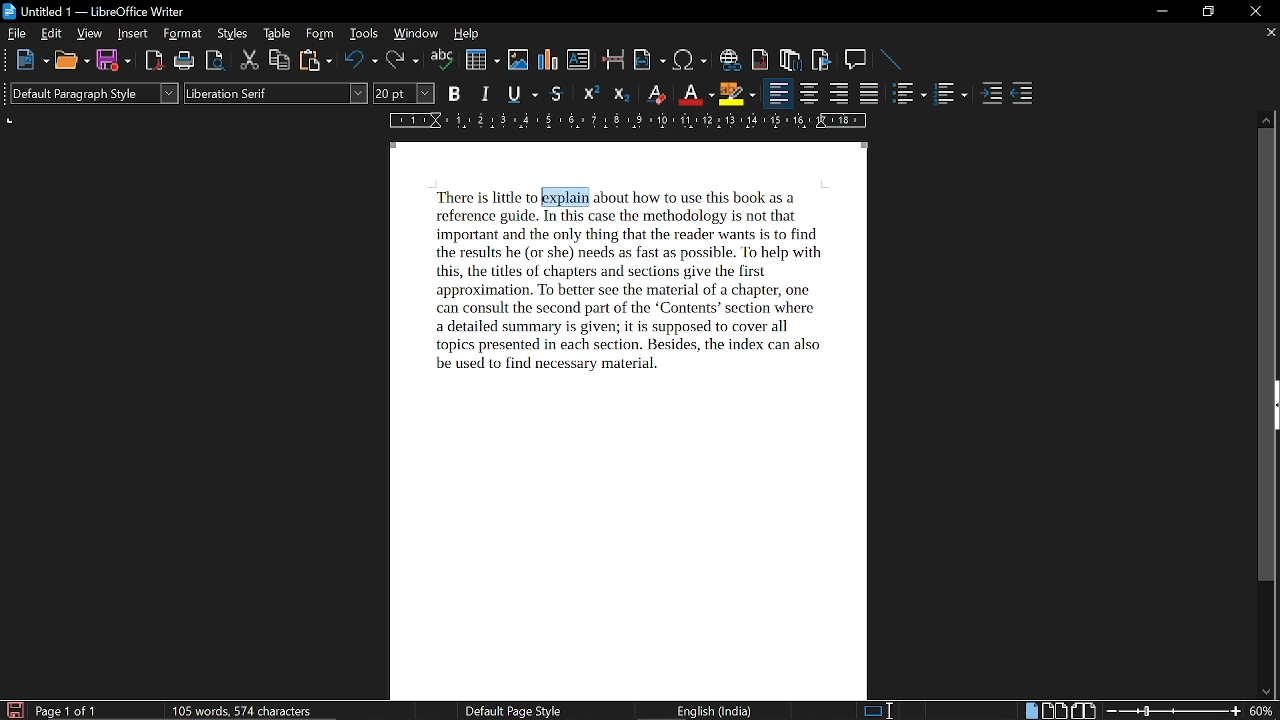 The image size is (1280, 720). Describe the element at coordinates (442, 61) in the screenshot. I see `spell check` at that location.